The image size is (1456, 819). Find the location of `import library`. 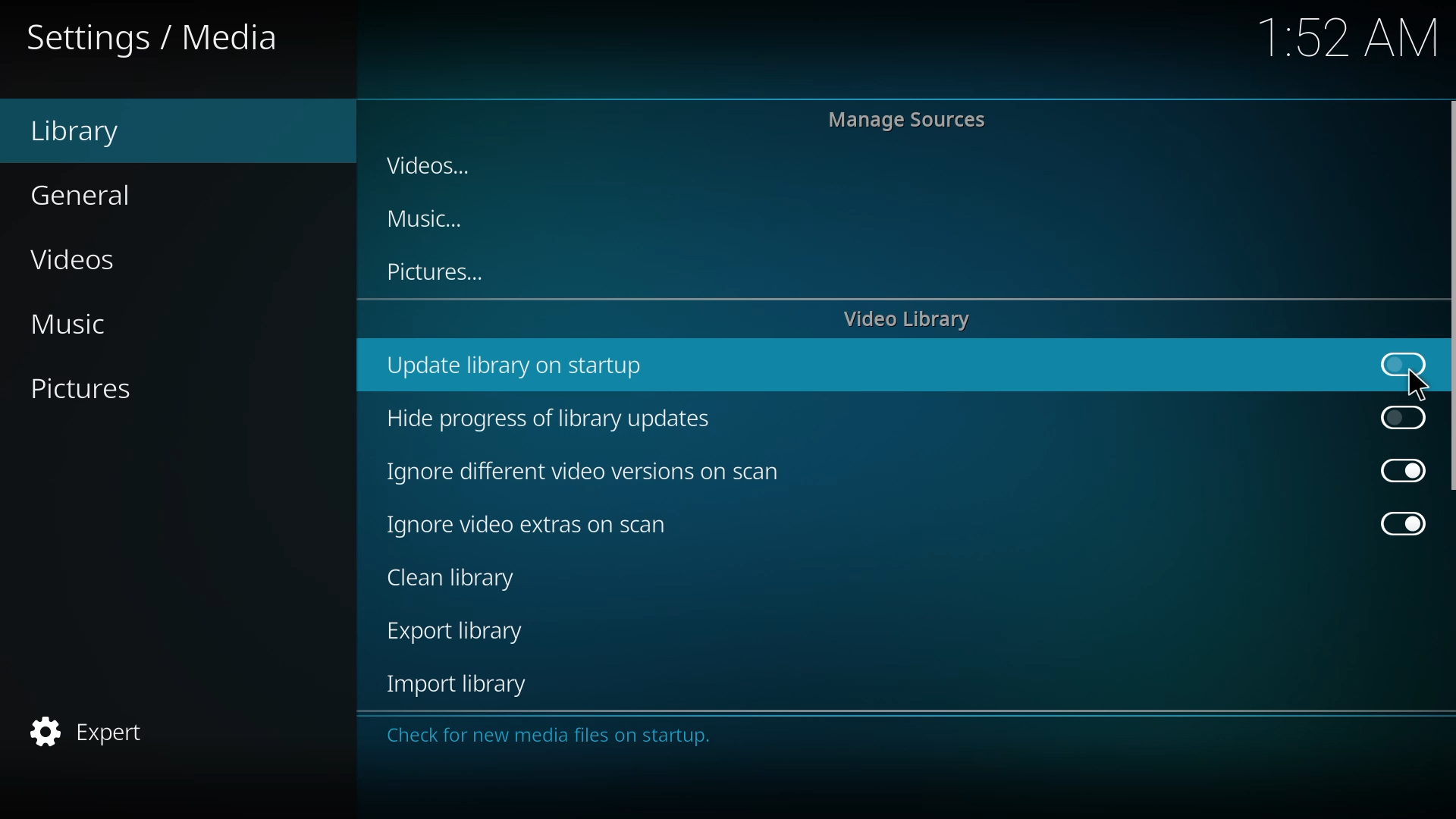

import library is located at coordinates (464, 684).